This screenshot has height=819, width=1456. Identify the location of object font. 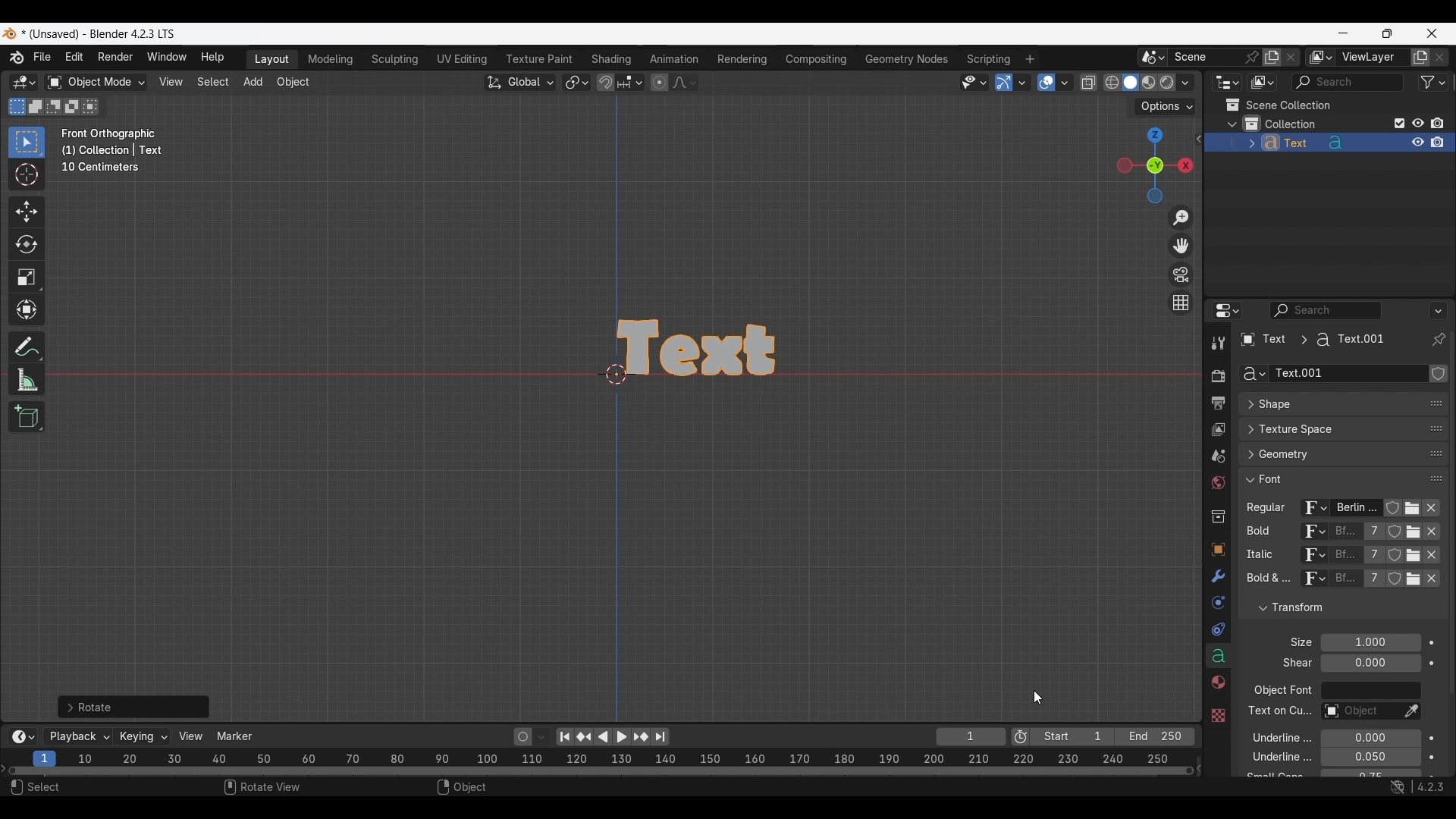
(1282, 692).